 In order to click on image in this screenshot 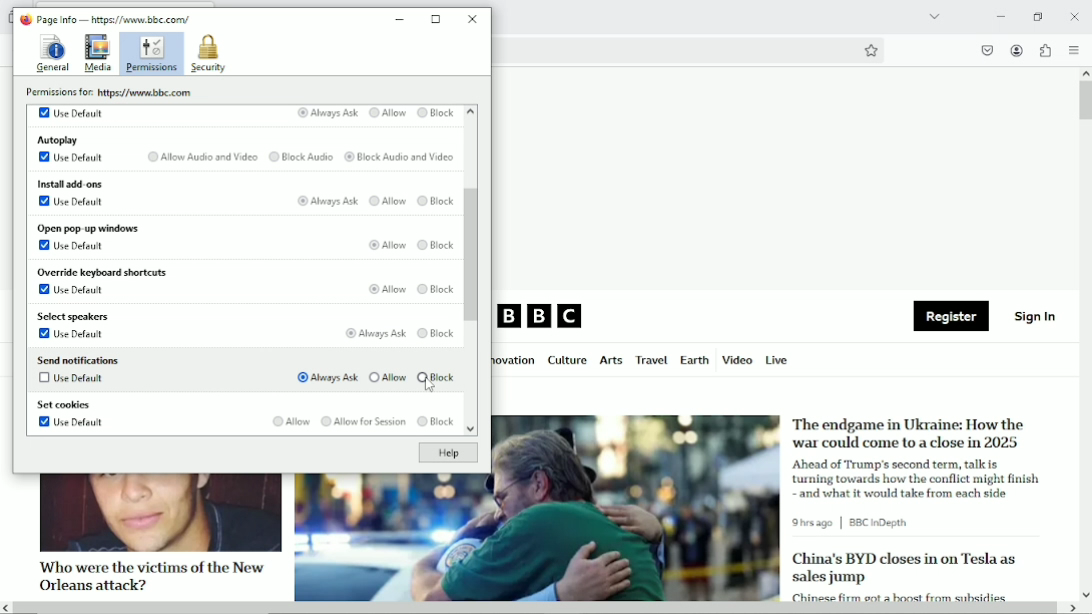, I will do `click(159, 513)`.